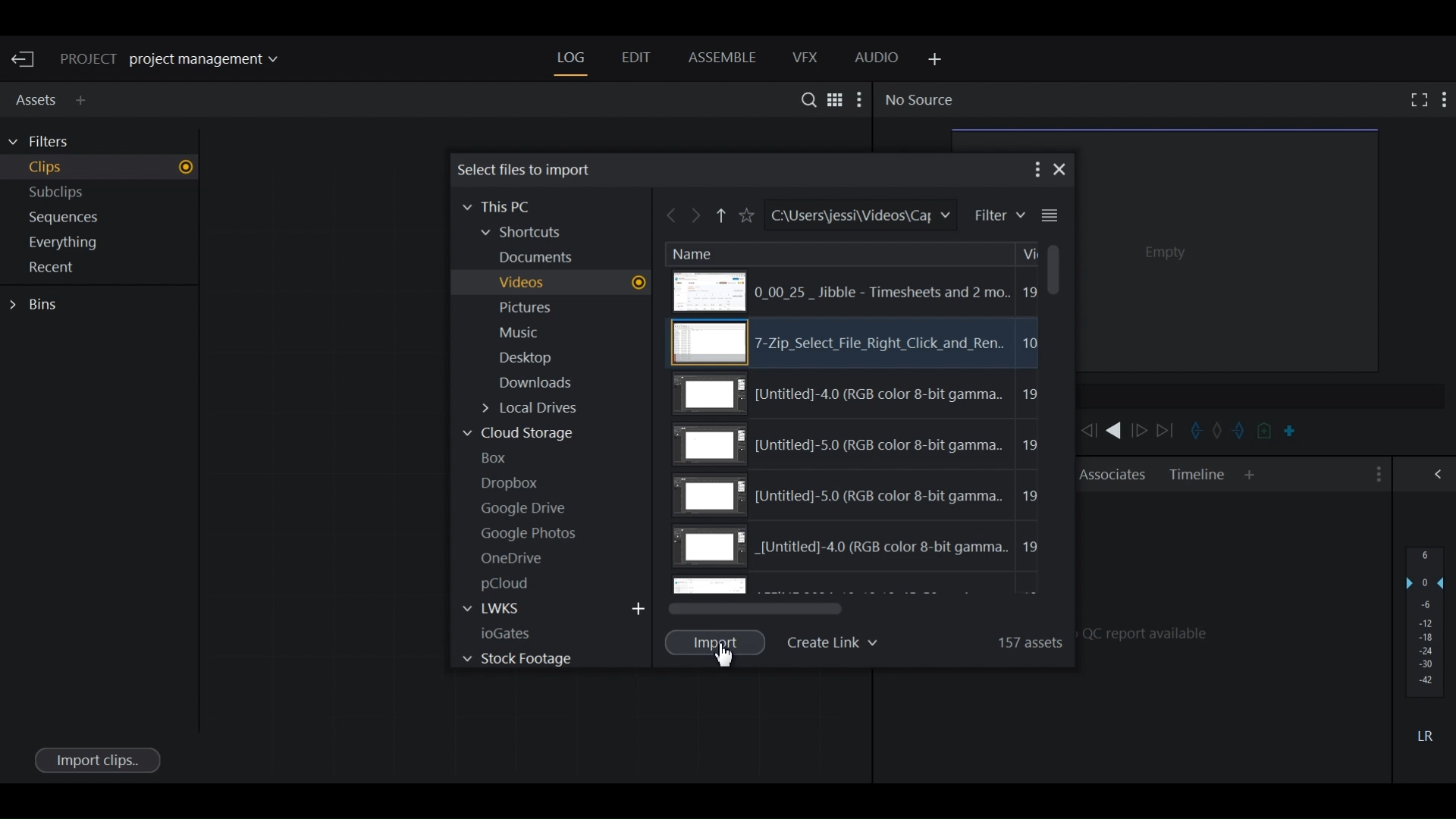  Describe the element at coordinates (1250, 475) in the screenshot. I see `Add Panel` at that location.